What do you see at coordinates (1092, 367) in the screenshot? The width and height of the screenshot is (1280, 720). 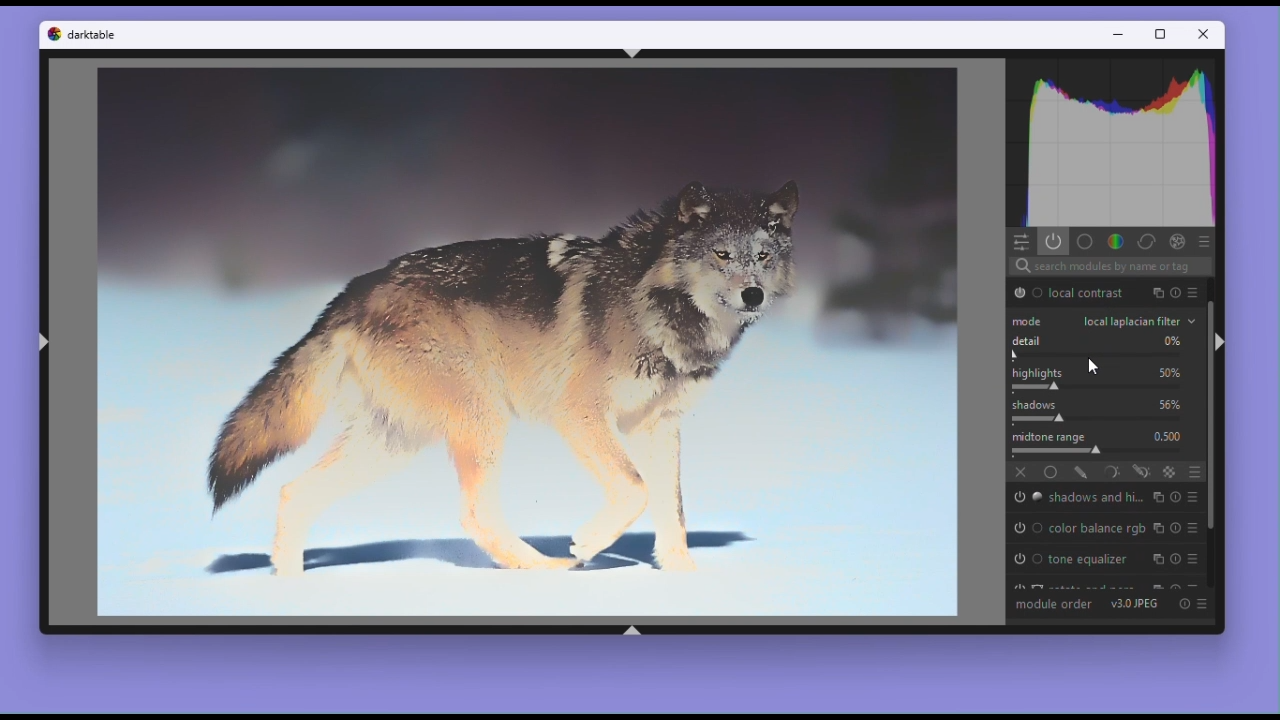 I see `cursor` at bounding box center [1092, 367].